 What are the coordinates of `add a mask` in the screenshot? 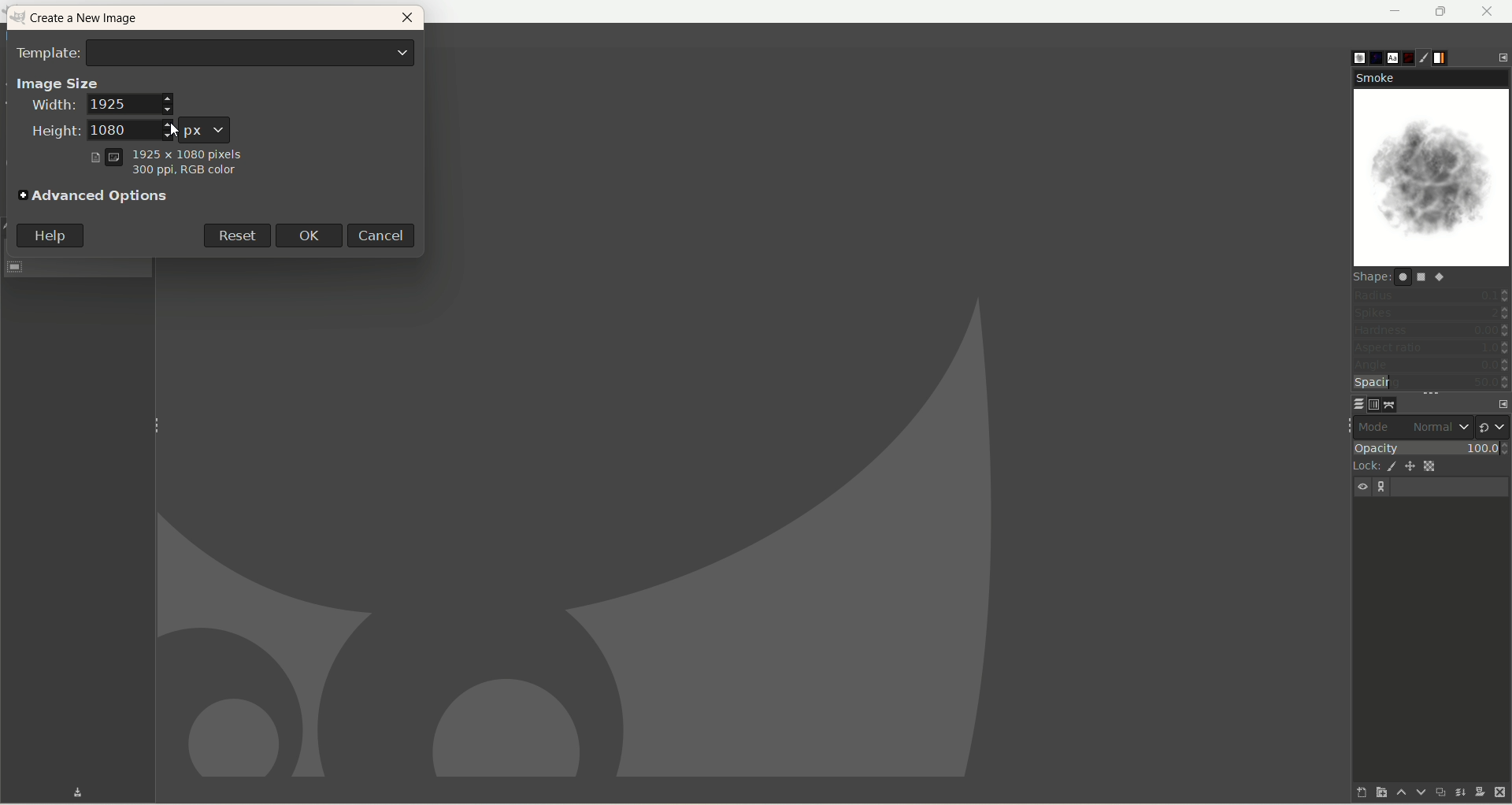 It's located at (1478, 792).